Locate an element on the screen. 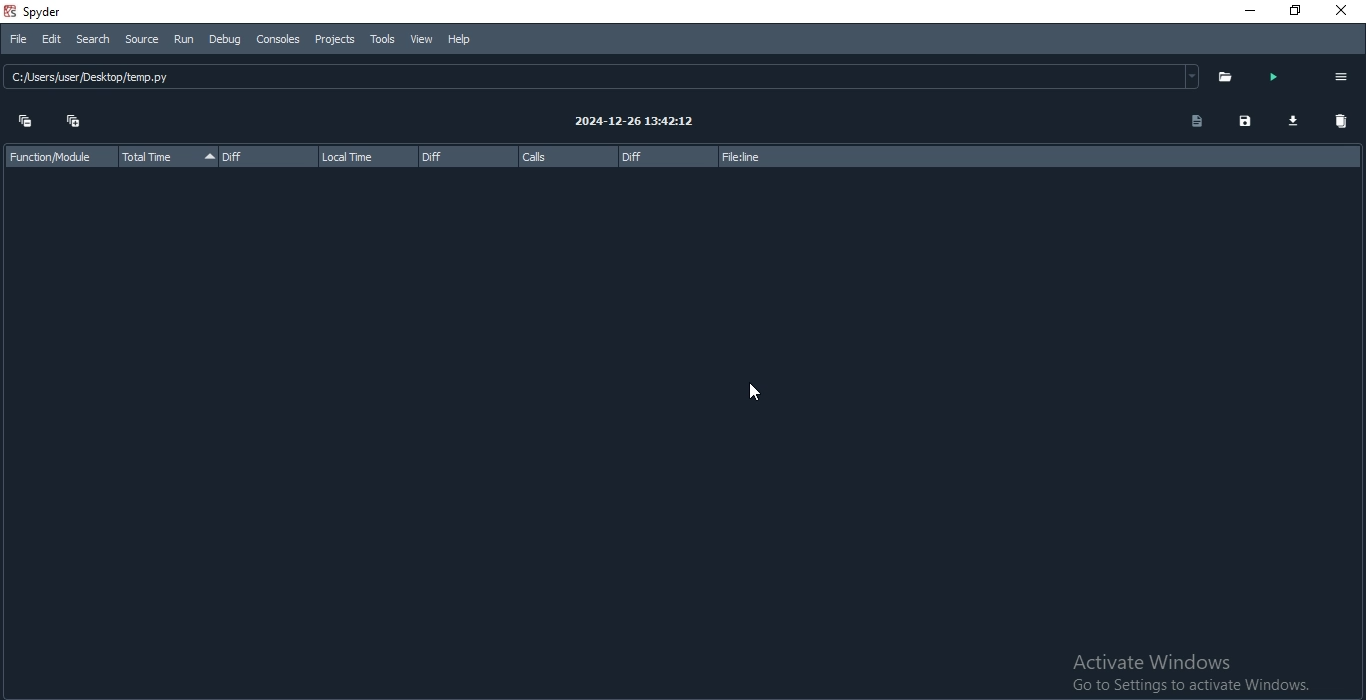 The image size is (1366, 700). File is located at coordinates (27, 39).